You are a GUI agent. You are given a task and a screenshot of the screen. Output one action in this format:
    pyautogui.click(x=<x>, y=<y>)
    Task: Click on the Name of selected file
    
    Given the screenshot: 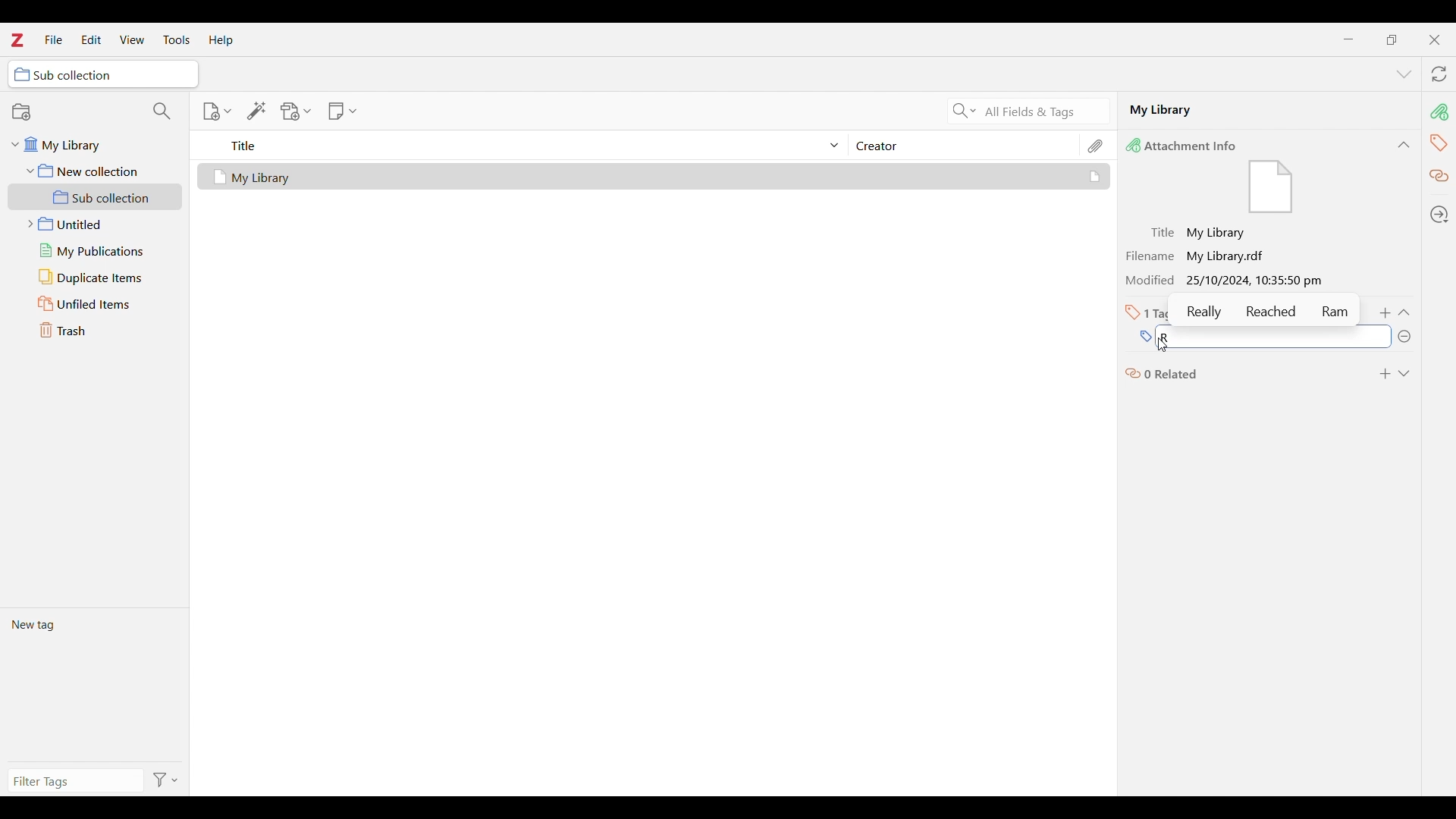 What is the action you would take?
    pyautogui.click(x=1251, y=109)
    